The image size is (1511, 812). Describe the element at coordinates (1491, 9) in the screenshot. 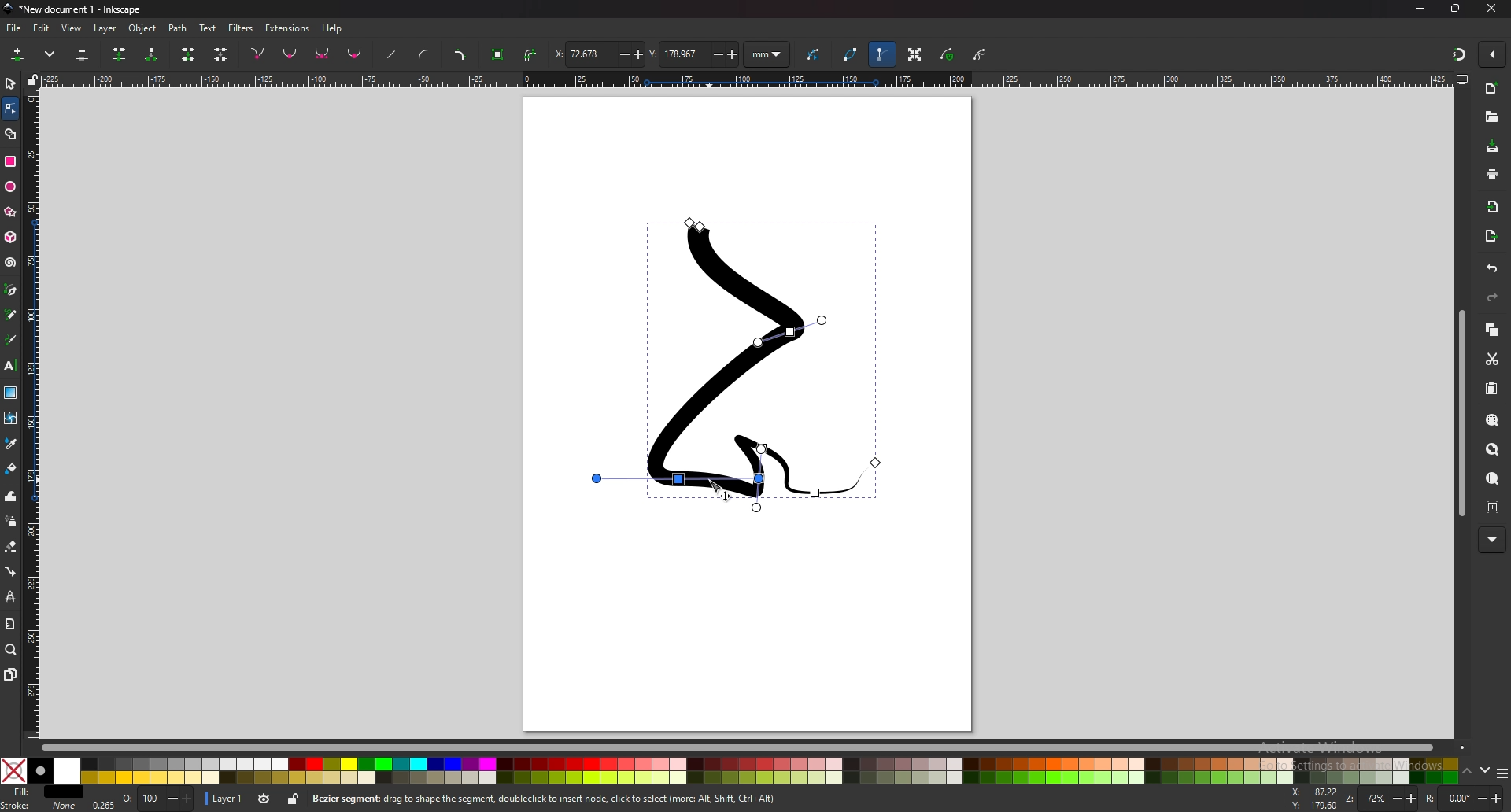

I see `close` at that location.